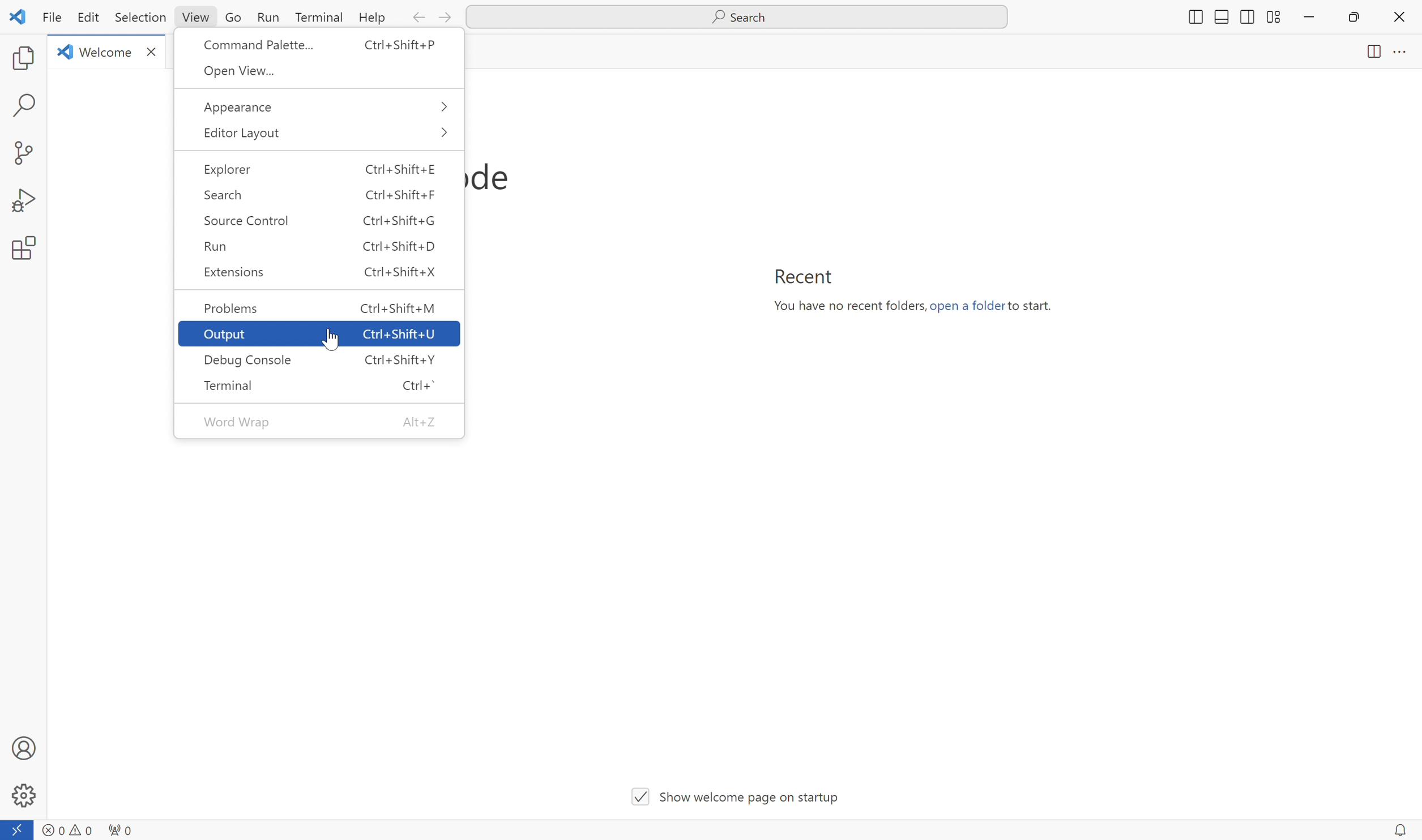  I want to click on change position, so click(1225, 20).